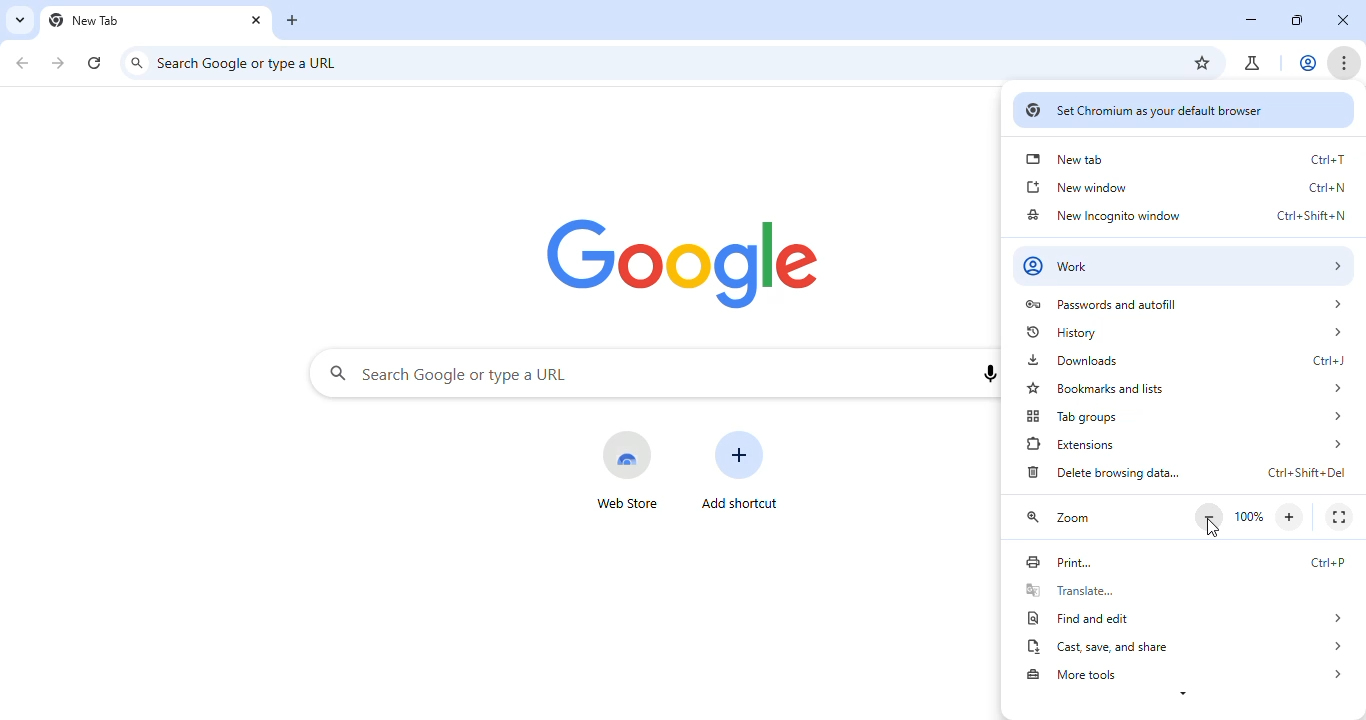 The image size is (1366, 720). What do you see at coordinates (625, 472) in the screenshot?
I see `Web Store` at bounding box center [625, 472].